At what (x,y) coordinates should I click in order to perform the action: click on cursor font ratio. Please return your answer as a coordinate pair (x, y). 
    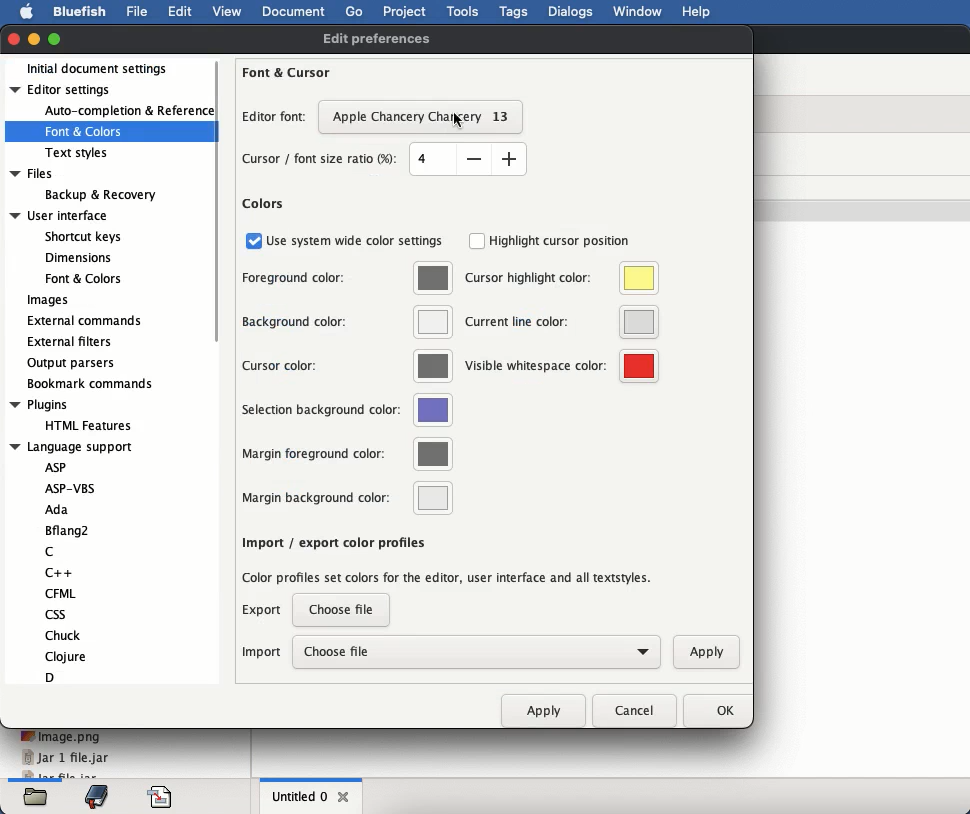
    Looking at the image, I should click on (383, 159).